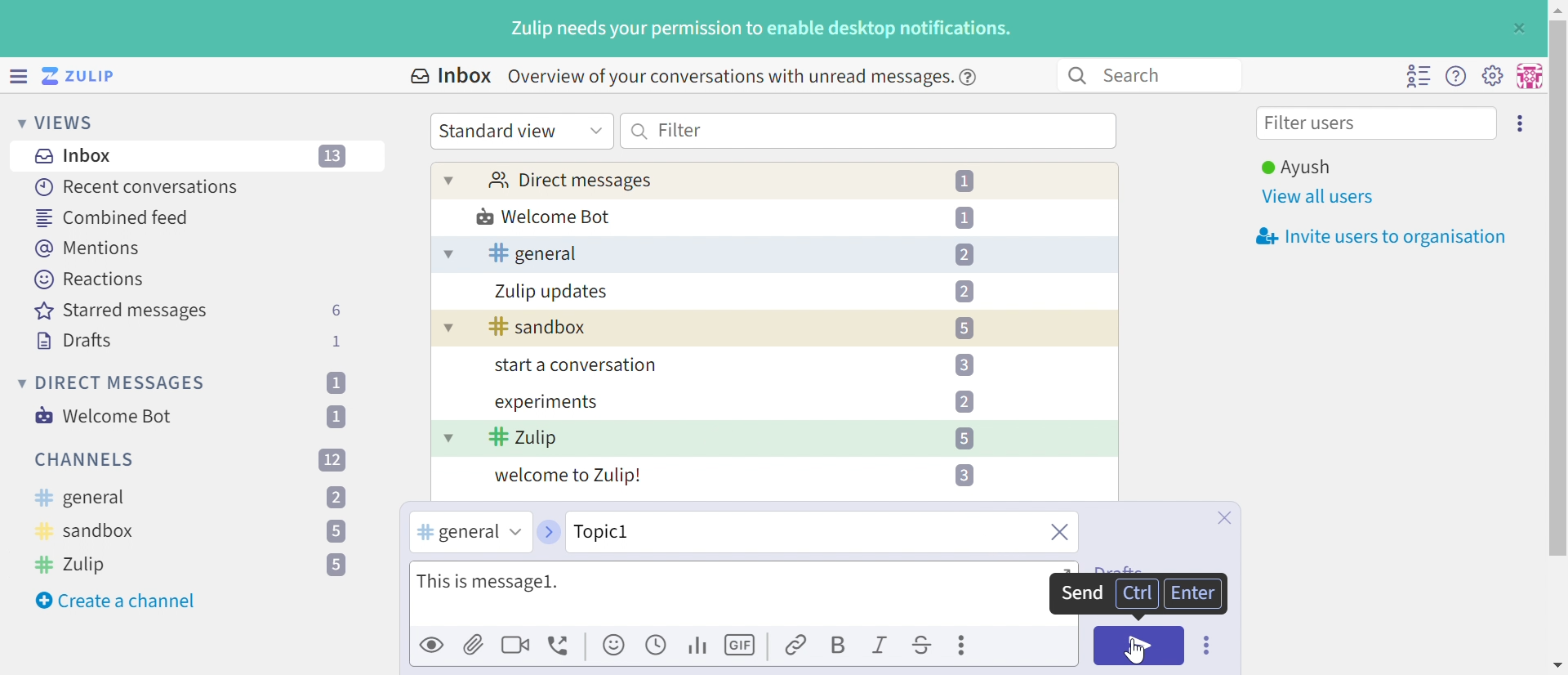 The image size is (1568, 675). I want to click on Search, so click(1140, 74).